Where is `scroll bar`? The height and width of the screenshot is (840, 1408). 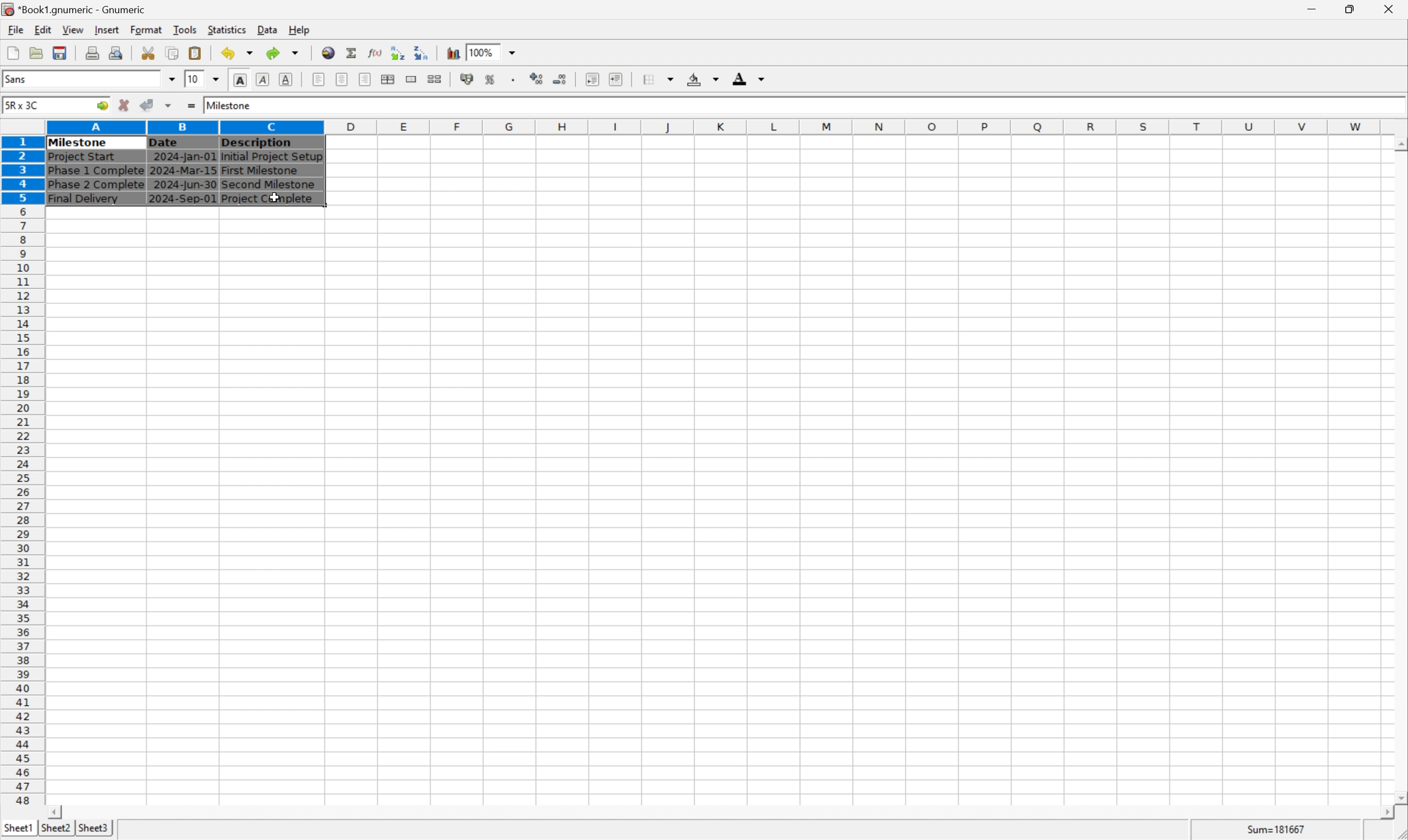
scroll bar is located at coordinates (1399, 470).